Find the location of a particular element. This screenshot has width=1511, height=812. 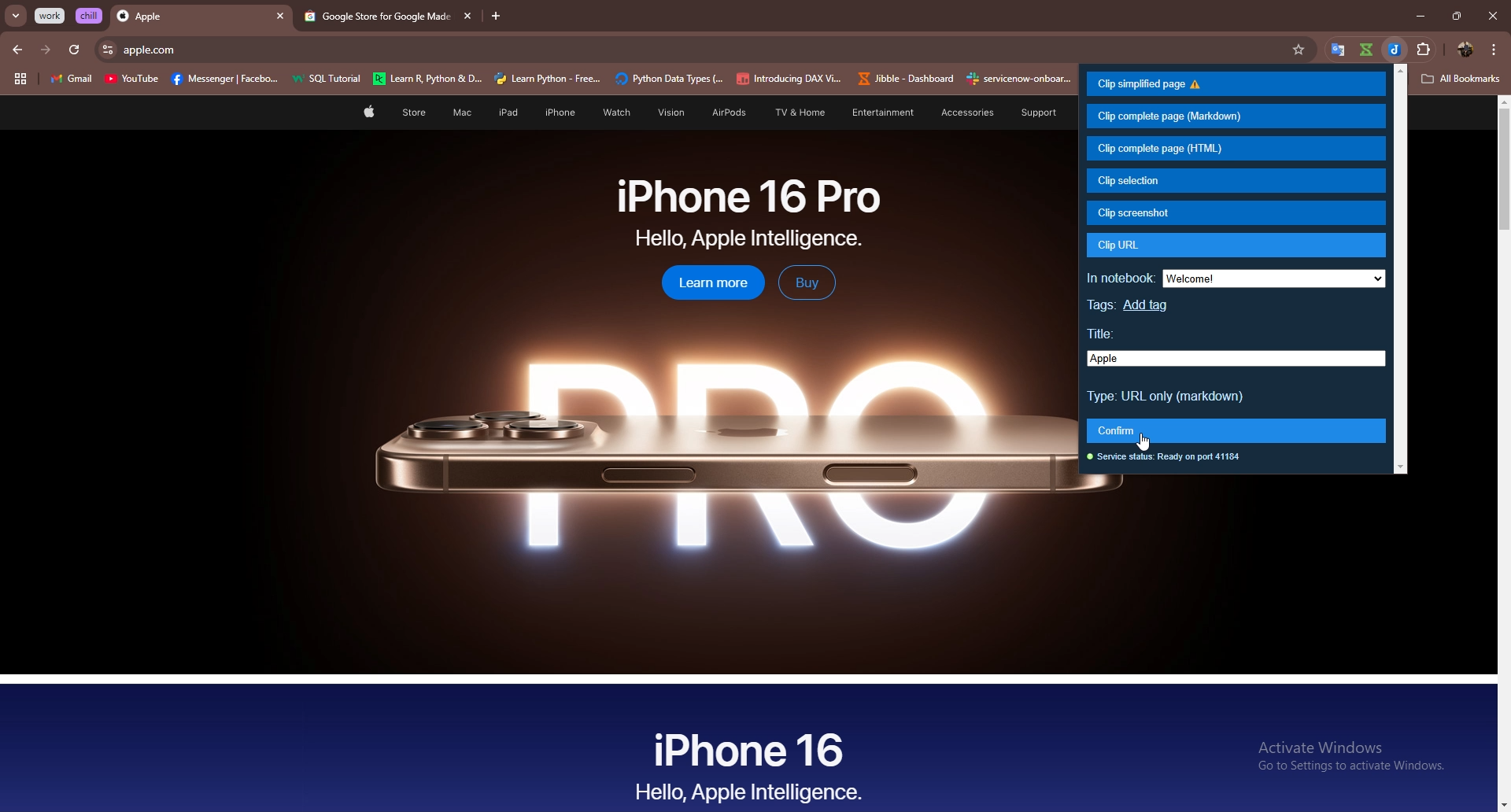

iPhone 16 Pro
Hello, Apple Intelligence. is located at coordinates (749, 213).